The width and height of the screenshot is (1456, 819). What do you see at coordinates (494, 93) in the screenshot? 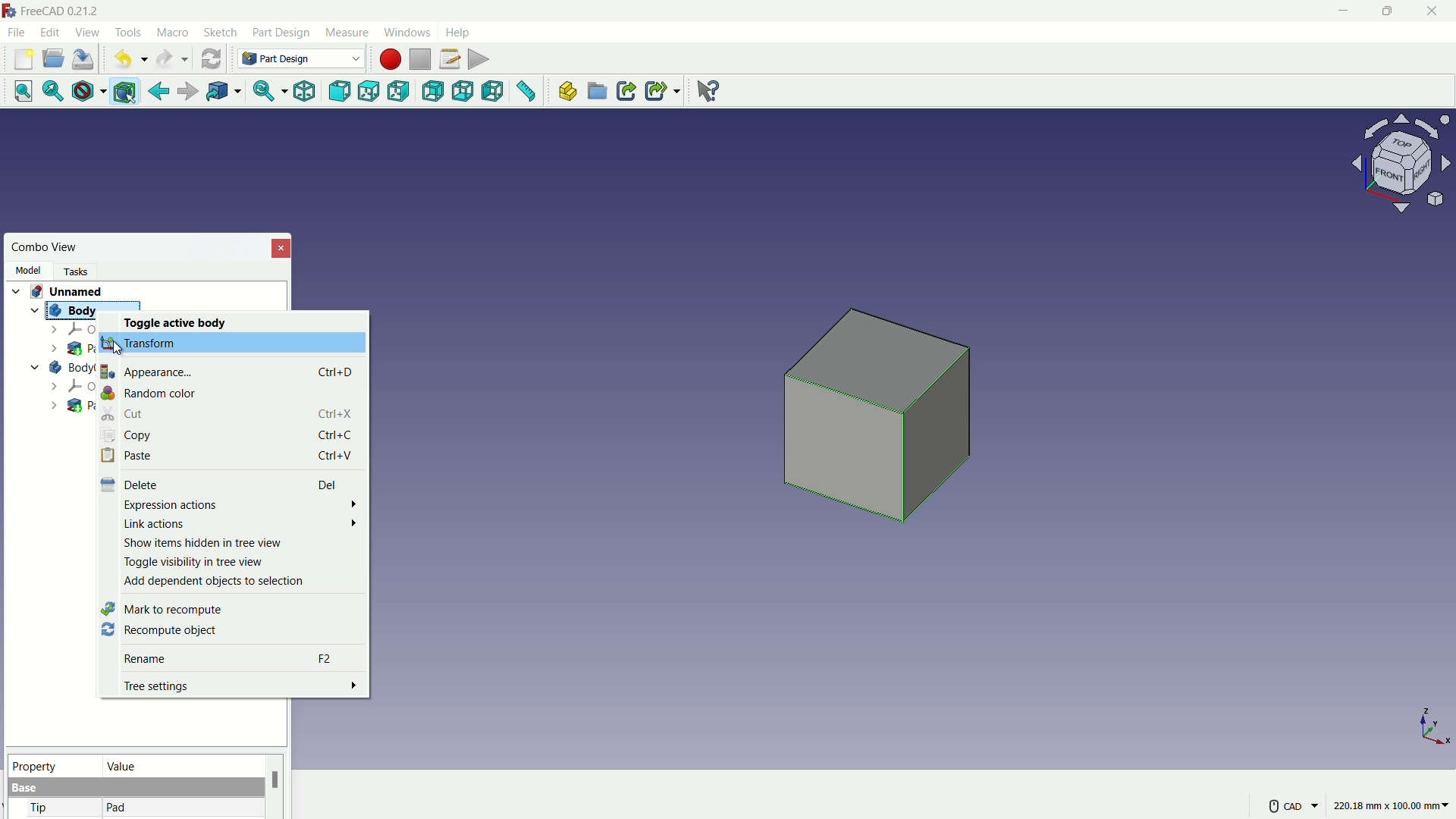
I see `left view` at bounding box center [494, 93].